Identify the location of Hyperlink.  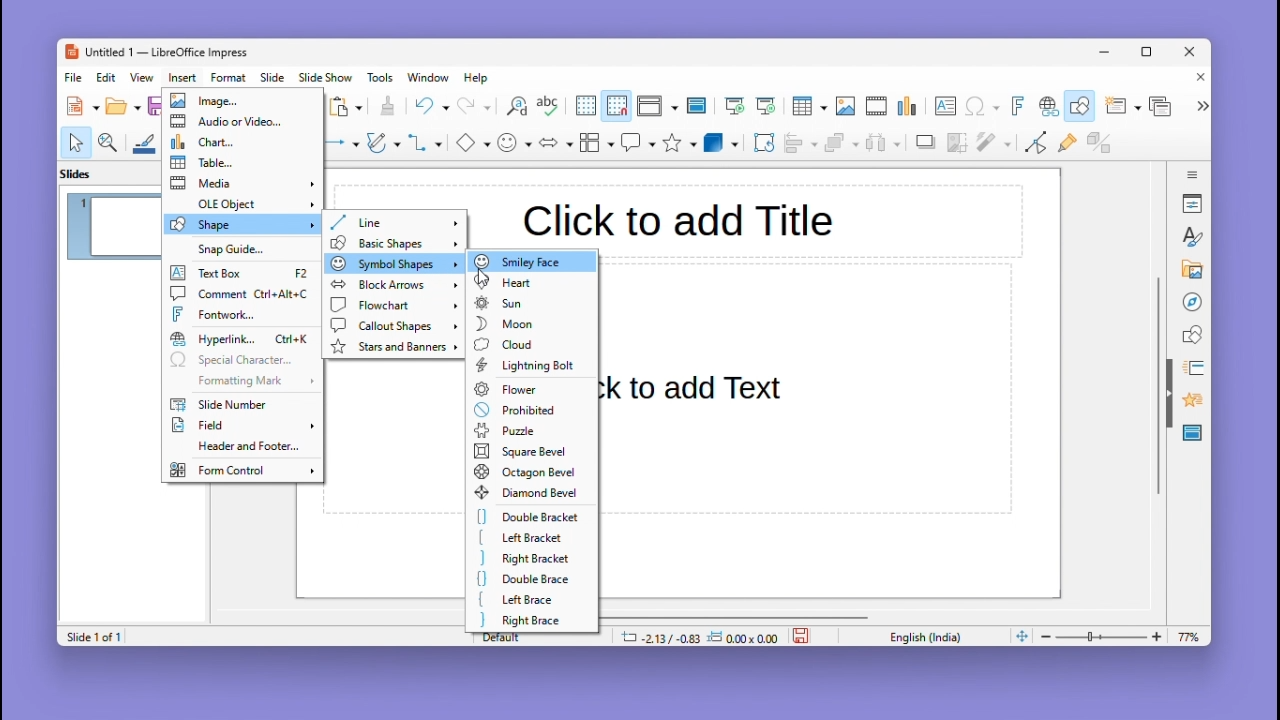
(1046, 108).